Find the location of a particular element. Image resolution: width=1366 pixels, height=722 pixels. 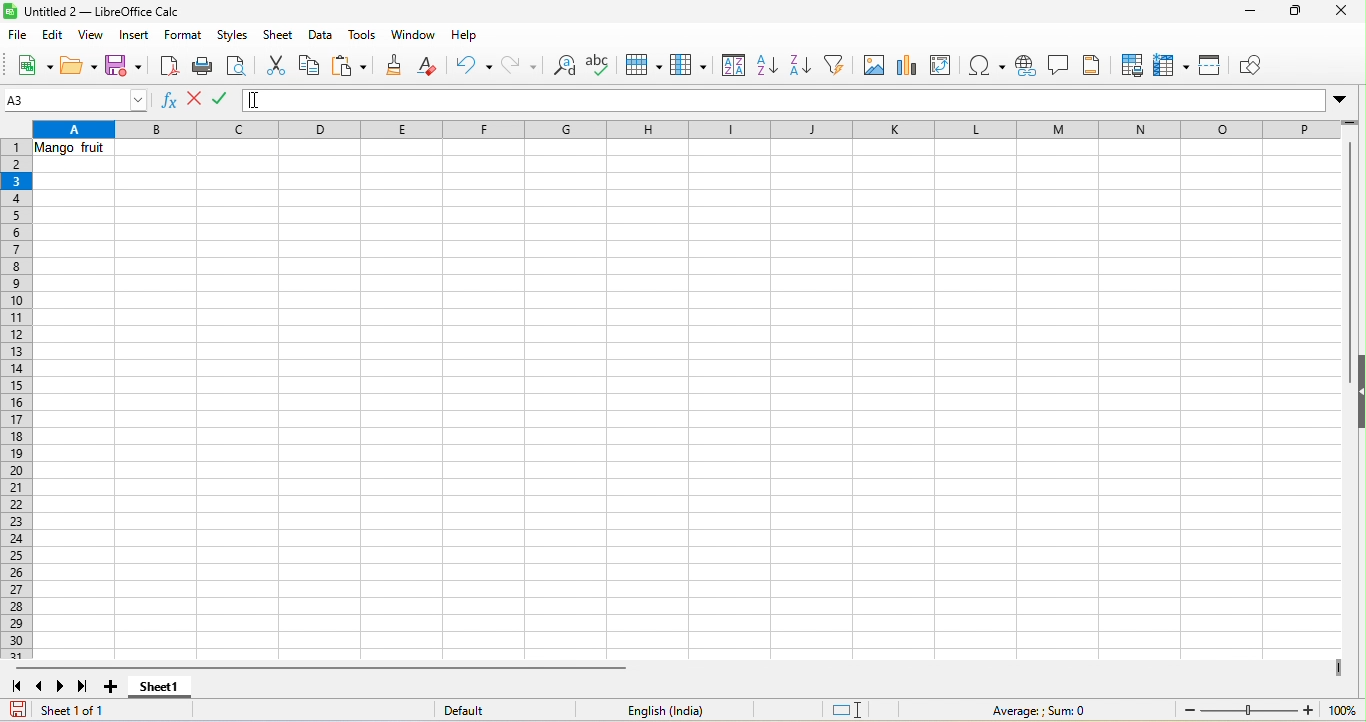

tools is located at coordinates (364, 35).